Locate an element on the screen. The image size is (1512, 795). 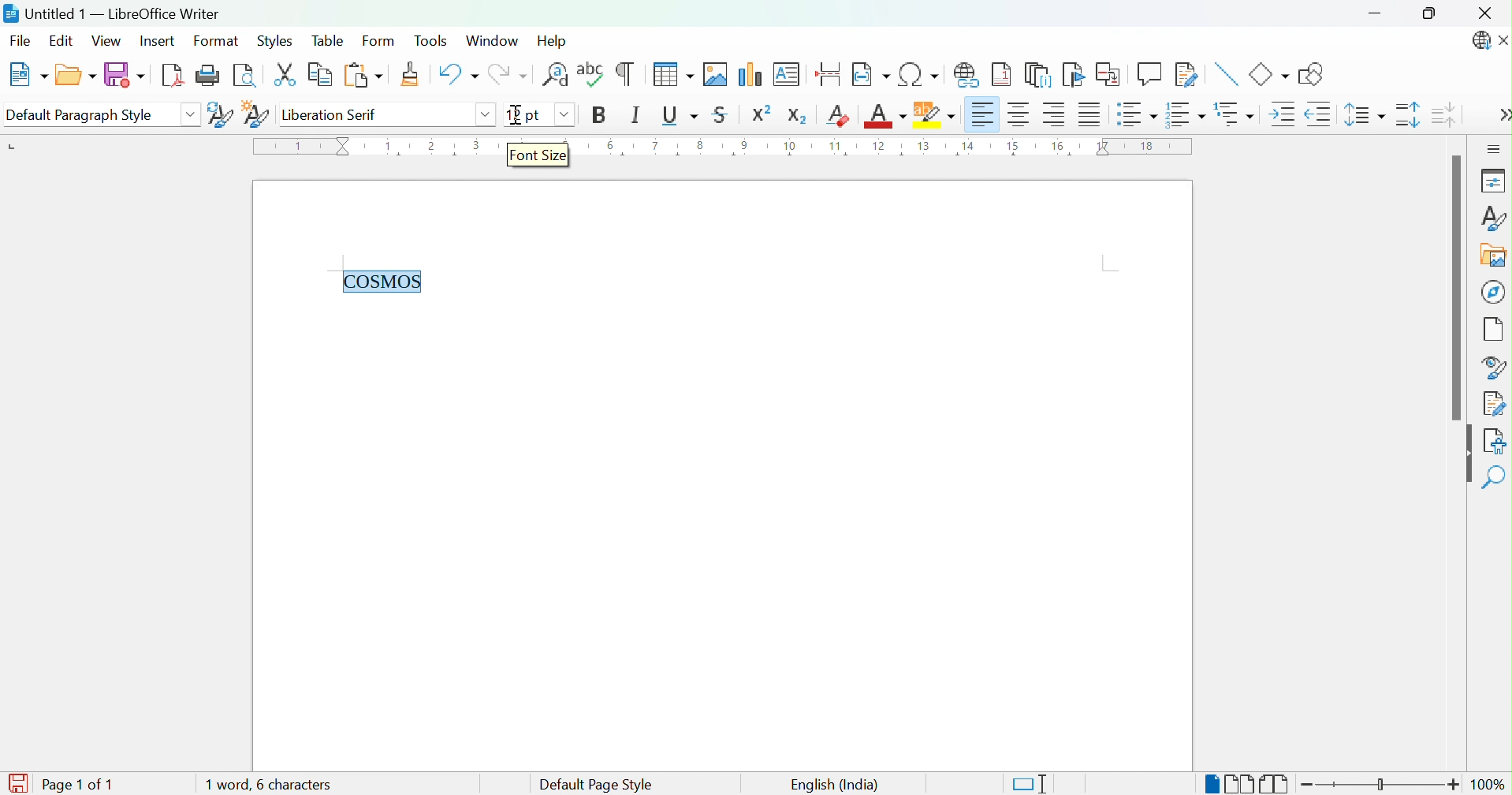
12 pt is located at coordinates (522, 115).